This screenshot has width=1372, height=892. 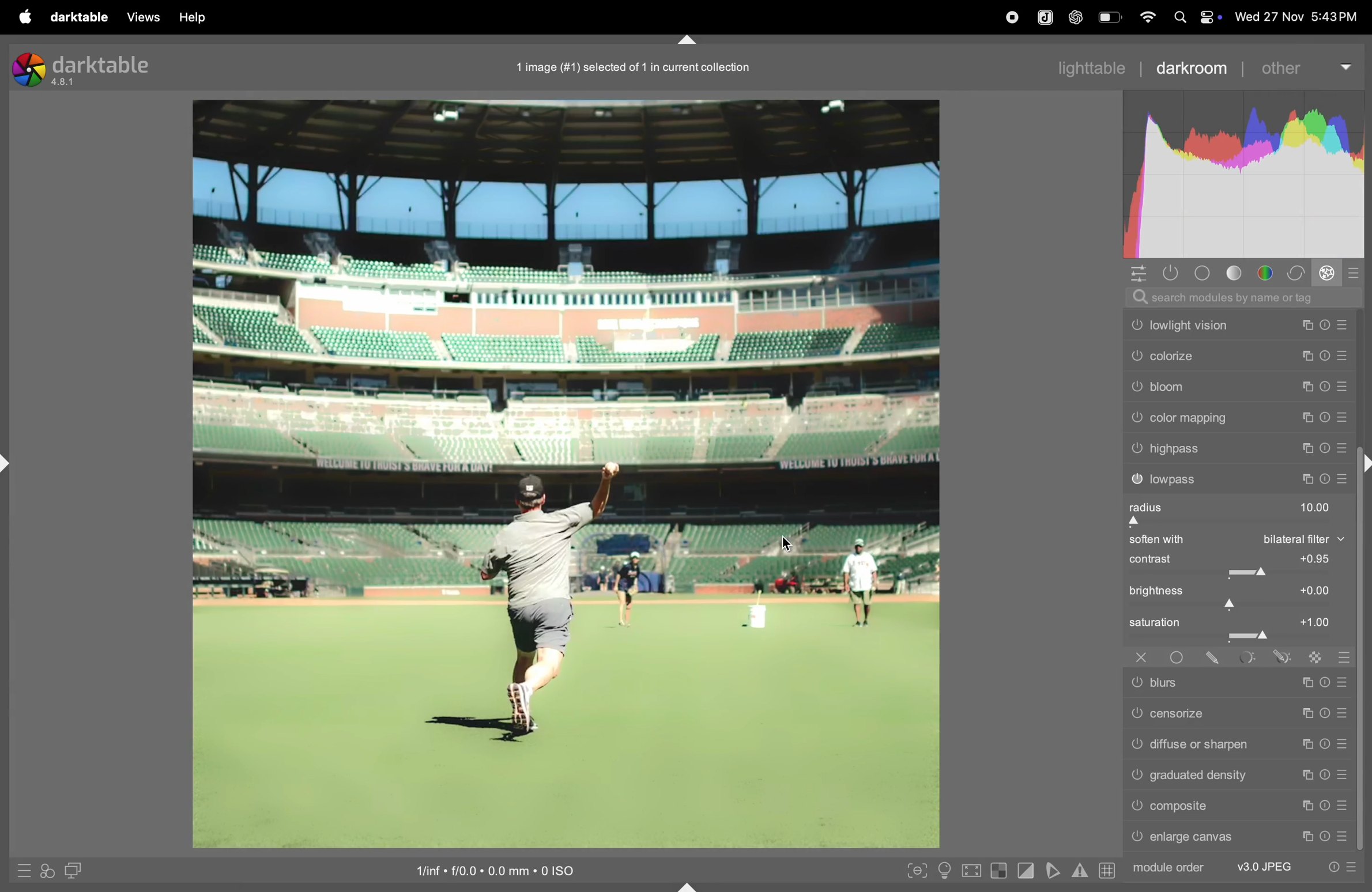 I want to click on toggle peaking foucus mode, so click(x=916, y=873).